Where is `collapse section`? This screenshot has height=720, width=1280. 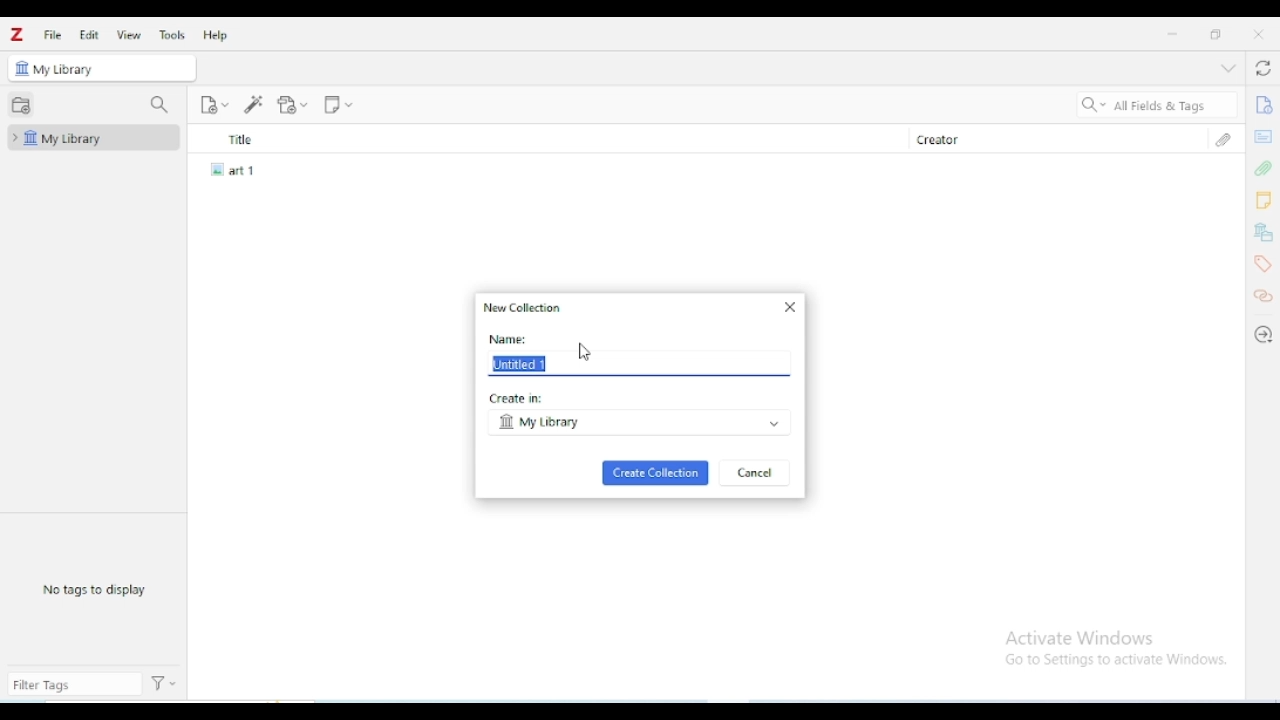
collapse section is located at coordinates (1228, 69).